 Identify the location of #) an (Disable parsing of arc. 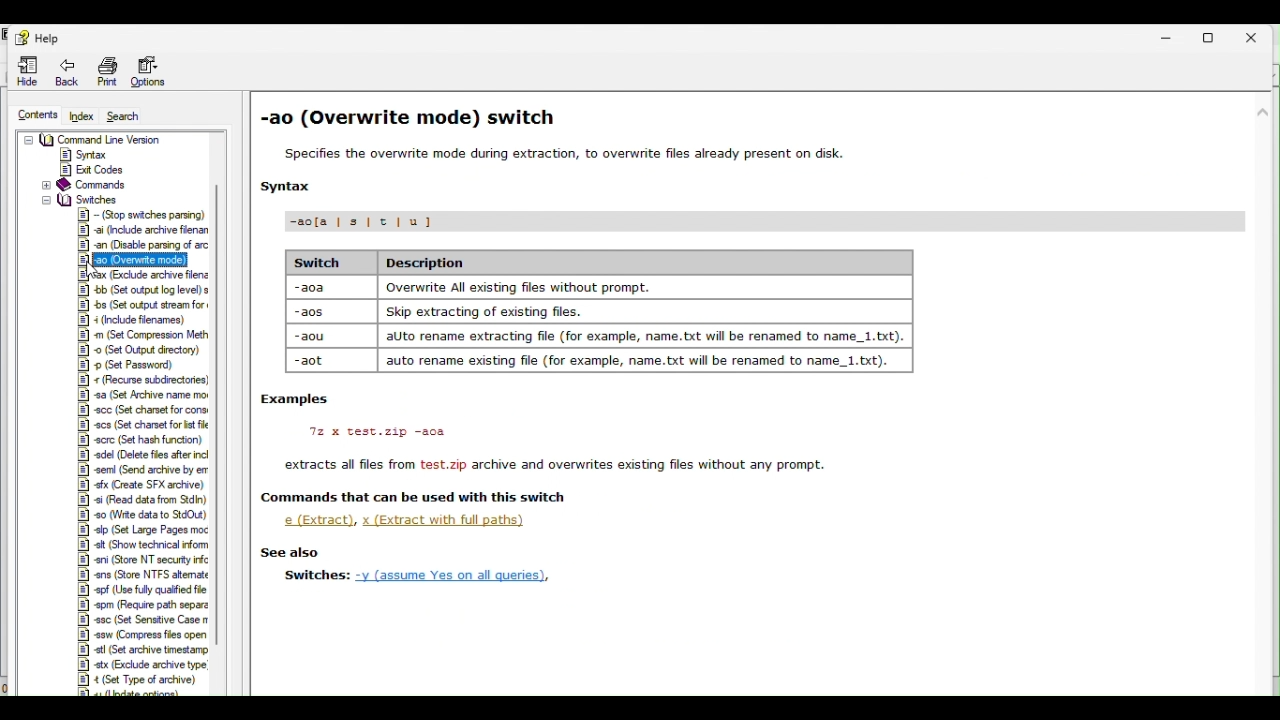
(139, 243).